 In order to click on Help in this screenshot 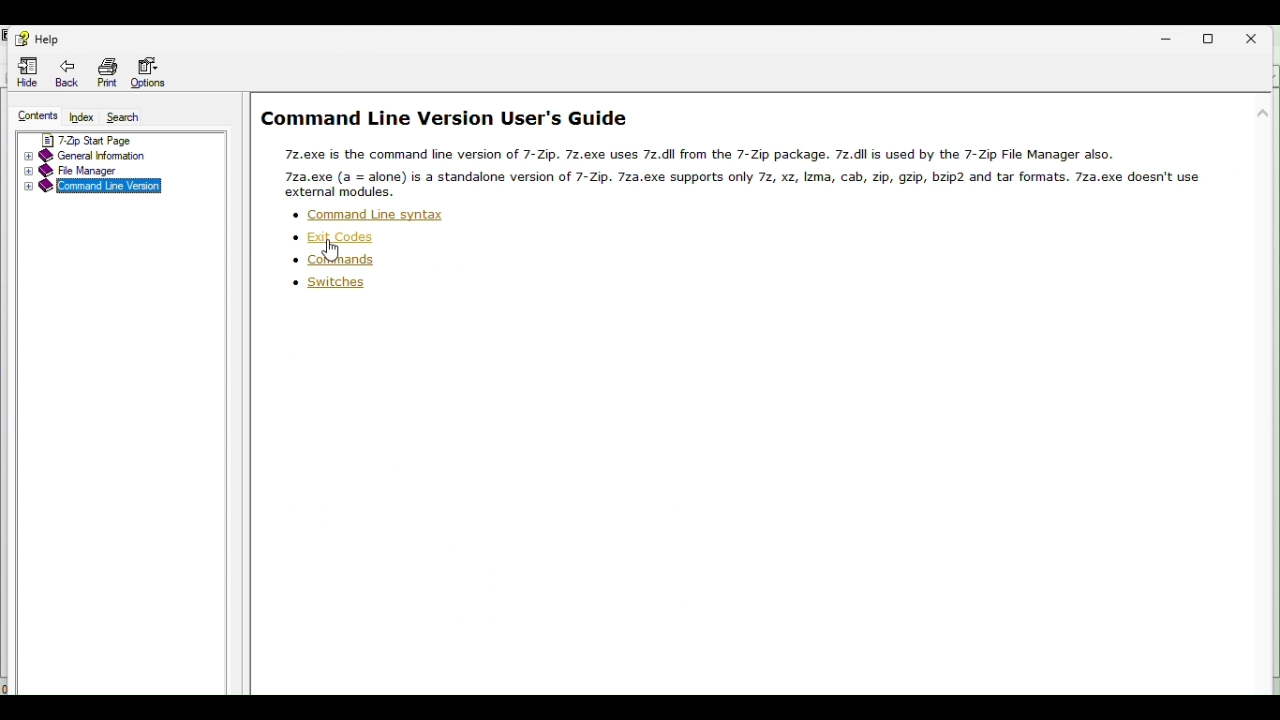, I will do `click(37, 37)`.